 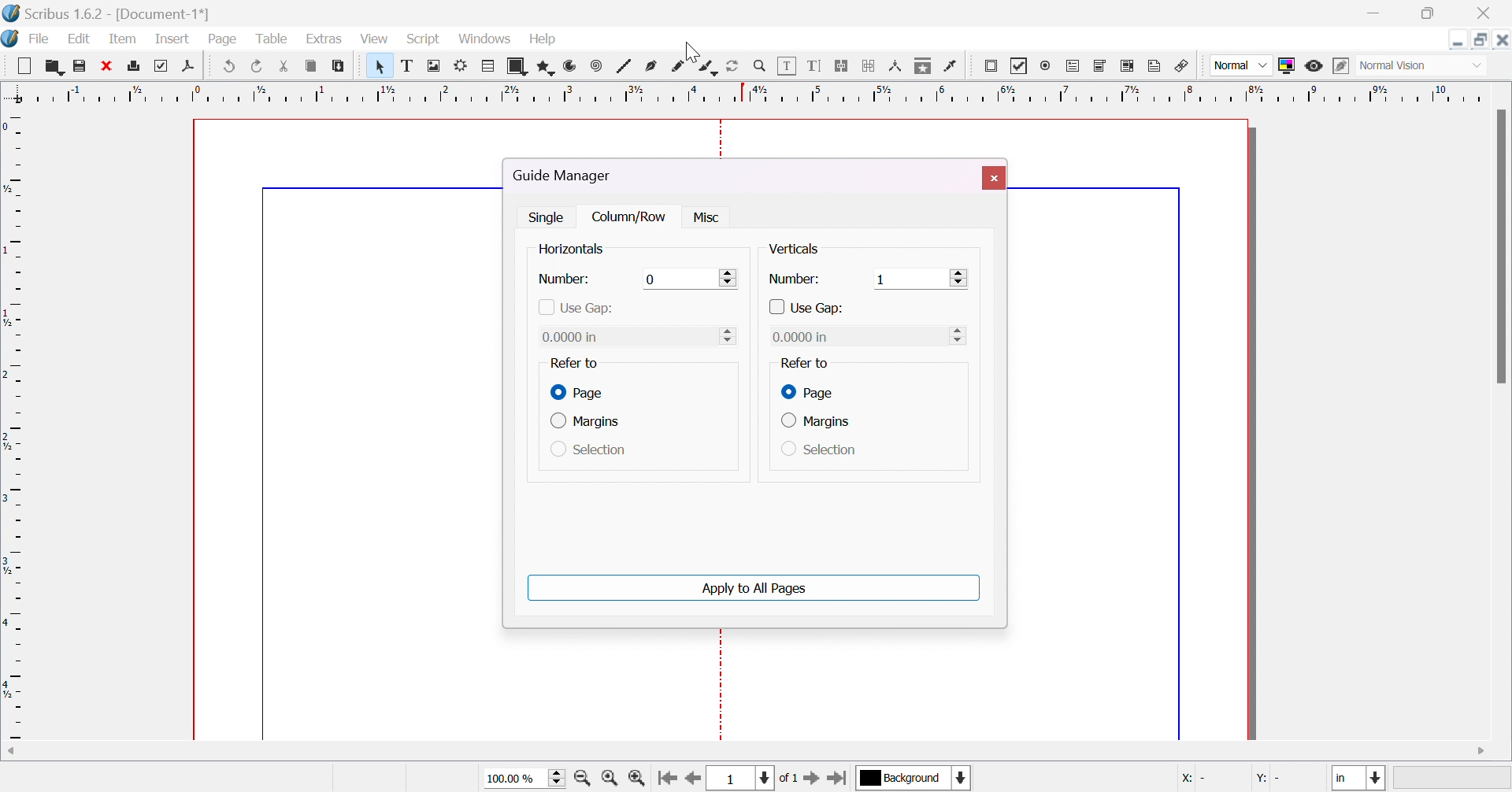 I want to click on shape, so click(x=519, y=66).